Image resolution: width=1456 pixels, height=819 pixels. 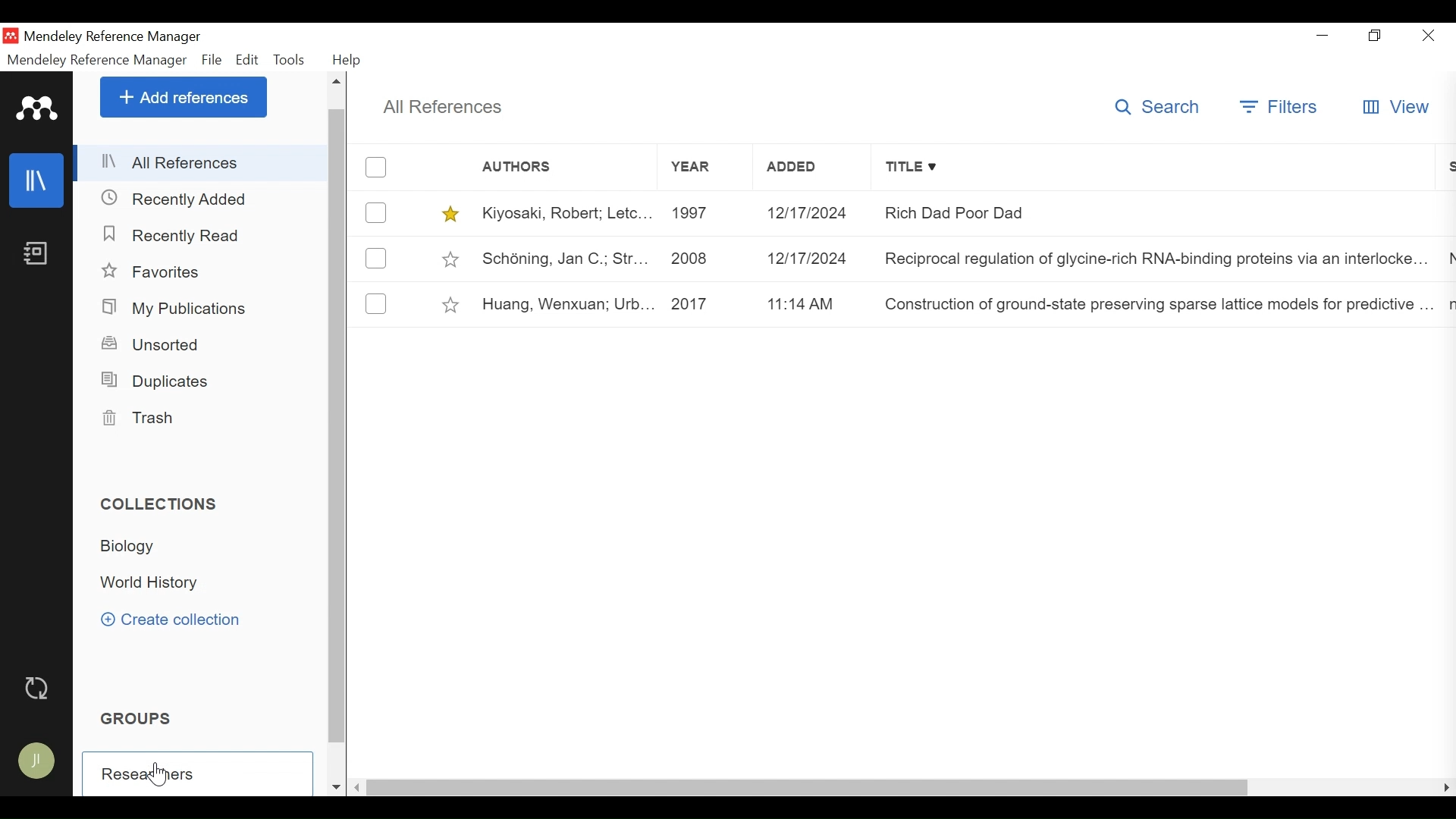 I want to click on Filters, so click(x=1278, y=106).